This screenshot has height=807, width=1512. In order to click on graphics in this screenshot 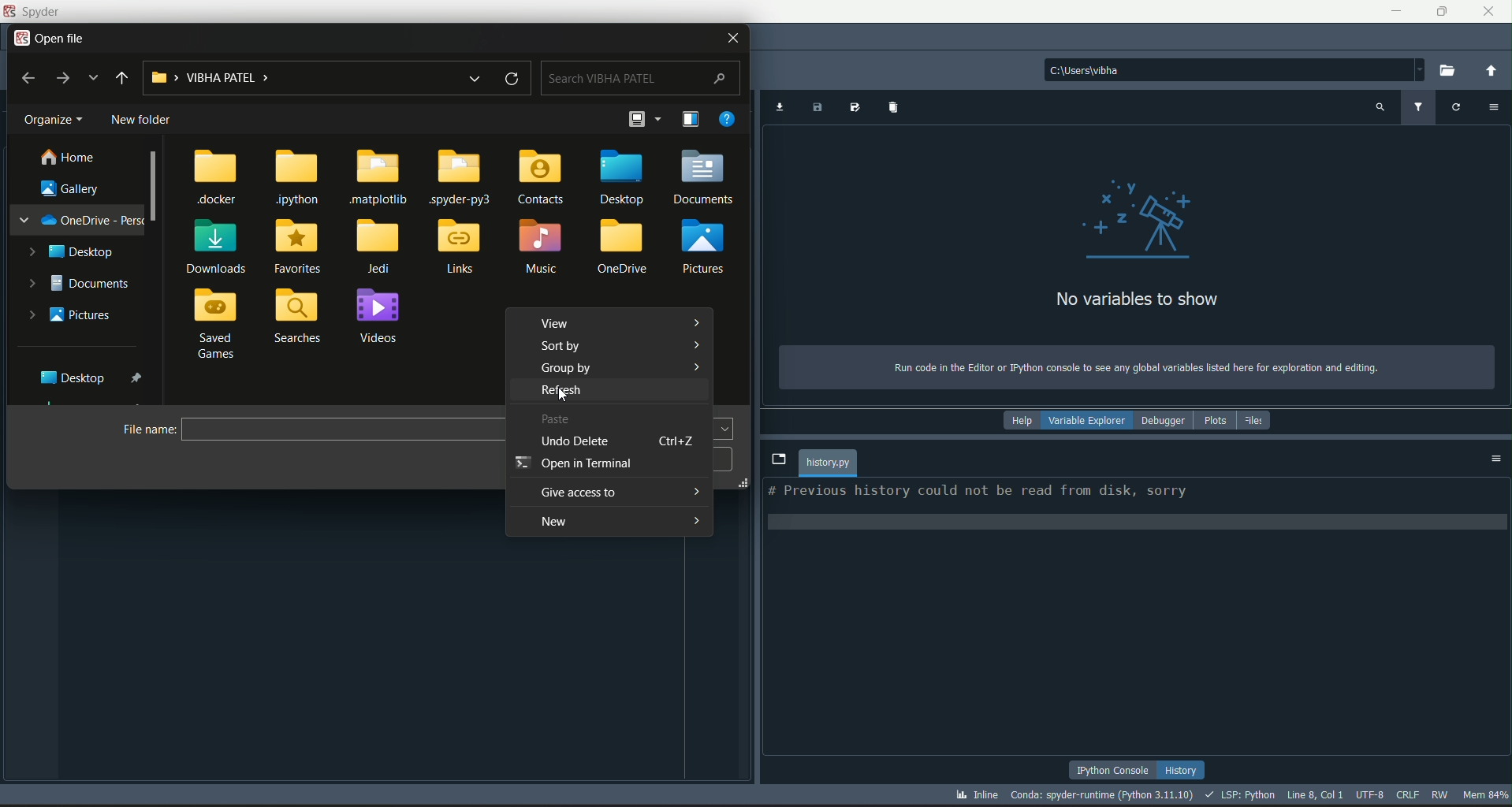, I will do `click(1138, 220)`.